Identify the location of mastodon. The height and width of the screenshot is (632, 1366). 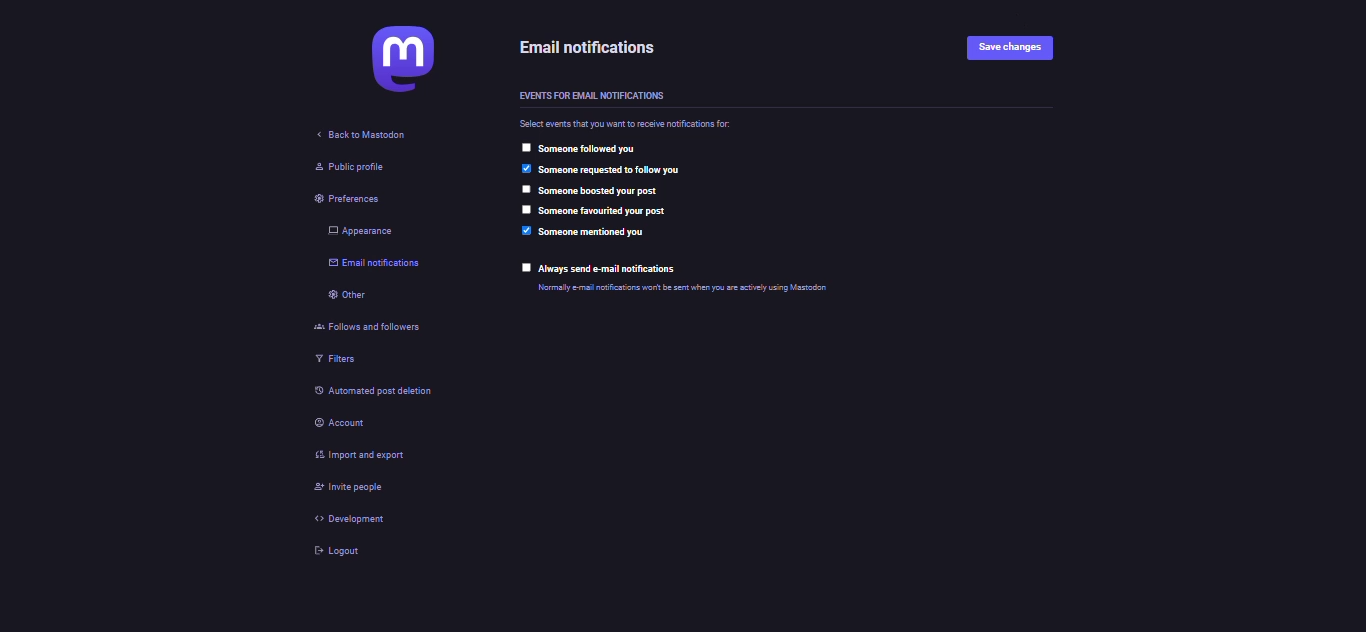
(395, 59).